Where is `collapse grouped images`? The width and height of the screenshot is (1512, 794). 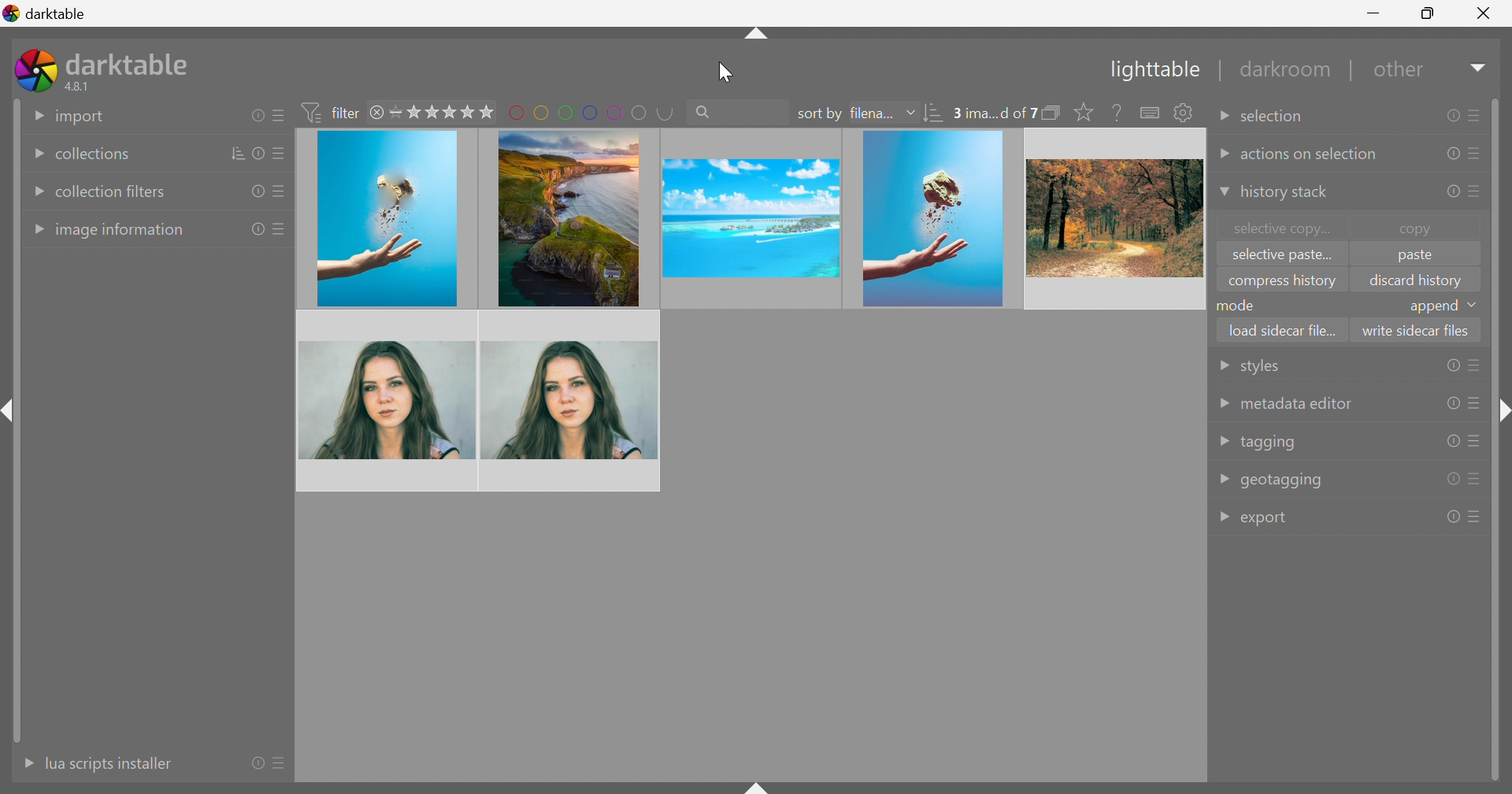
collapse grouped images is located at coordinates (1052, 113).